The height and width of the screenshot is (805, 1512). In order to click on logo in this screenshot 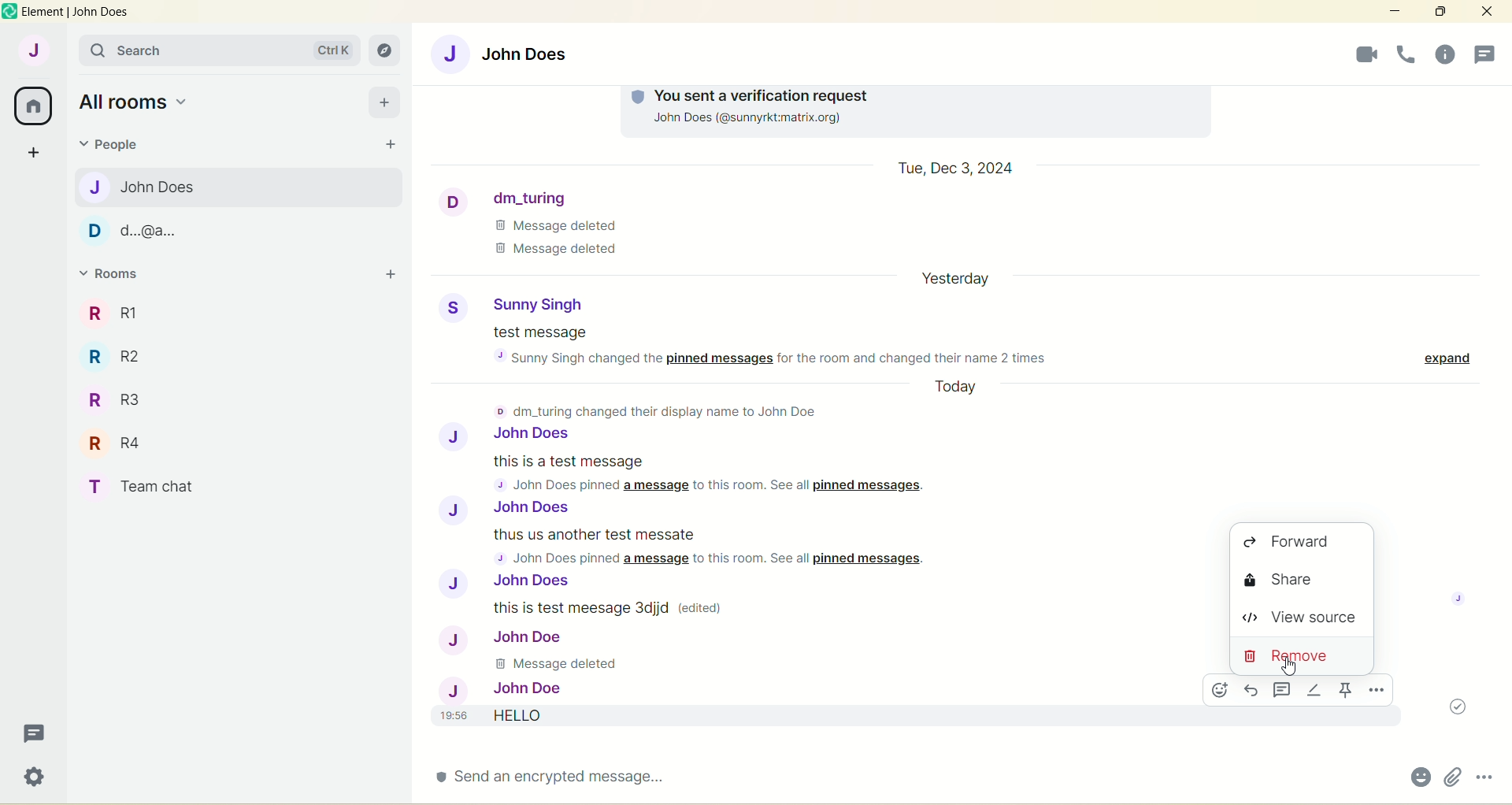, I will do `click(9, 11)`.